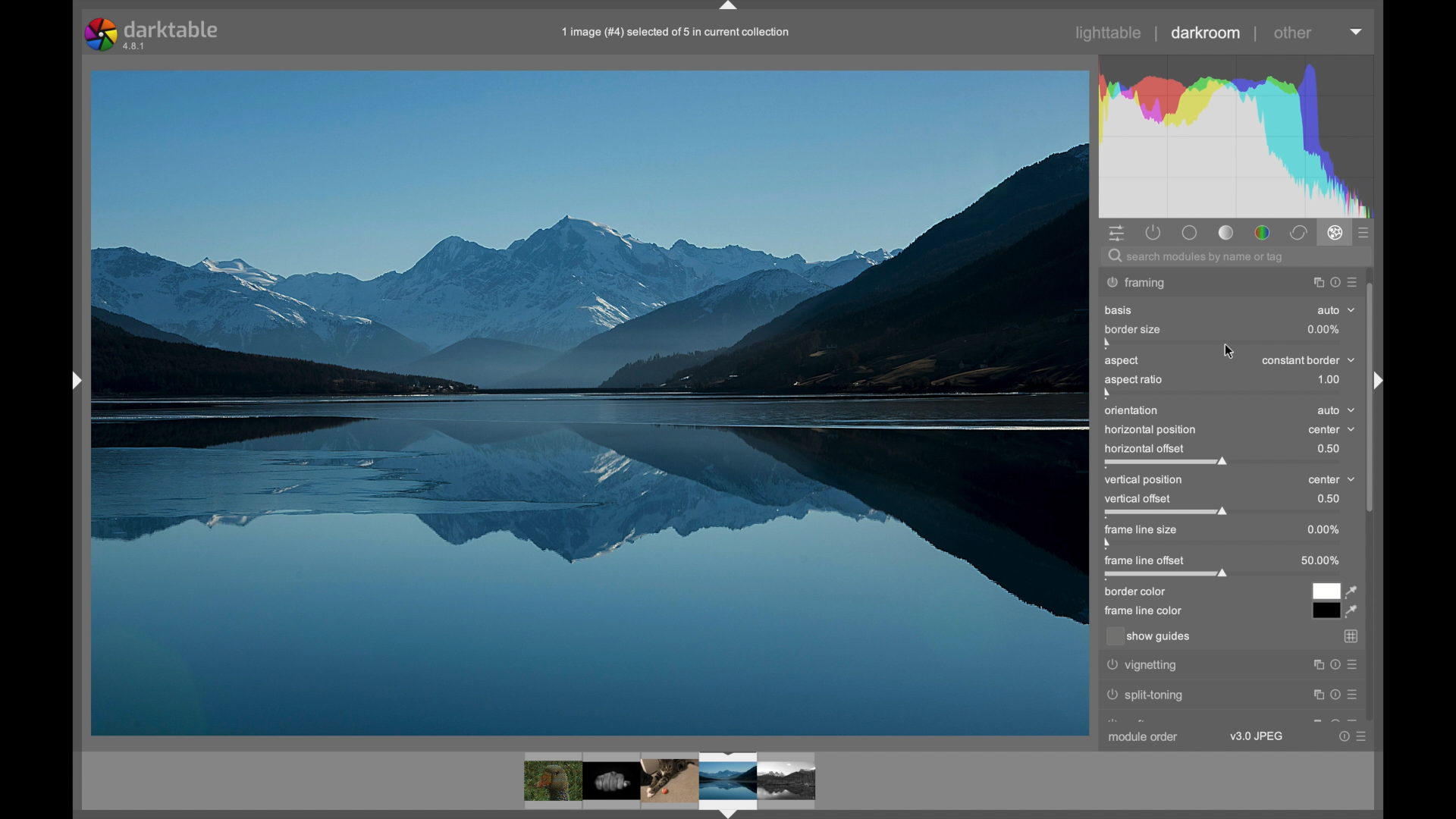 This screenshot has width=1456, height=819. What do you see at coordinates (1197, 258) in the screenshot?
I see `search` at bounding box center [1197, 258].